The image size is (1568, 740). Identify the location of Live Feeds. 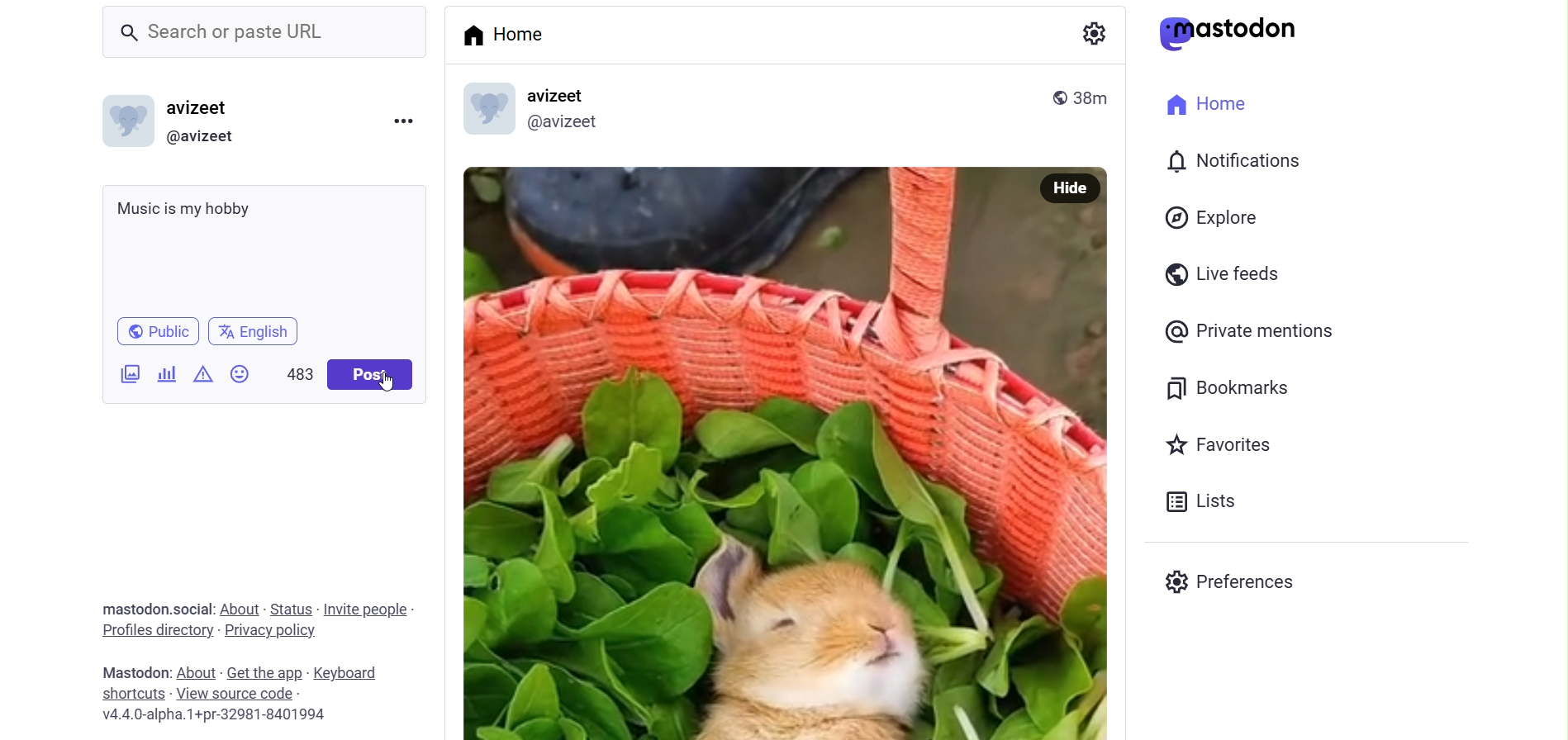
(1219, 274).